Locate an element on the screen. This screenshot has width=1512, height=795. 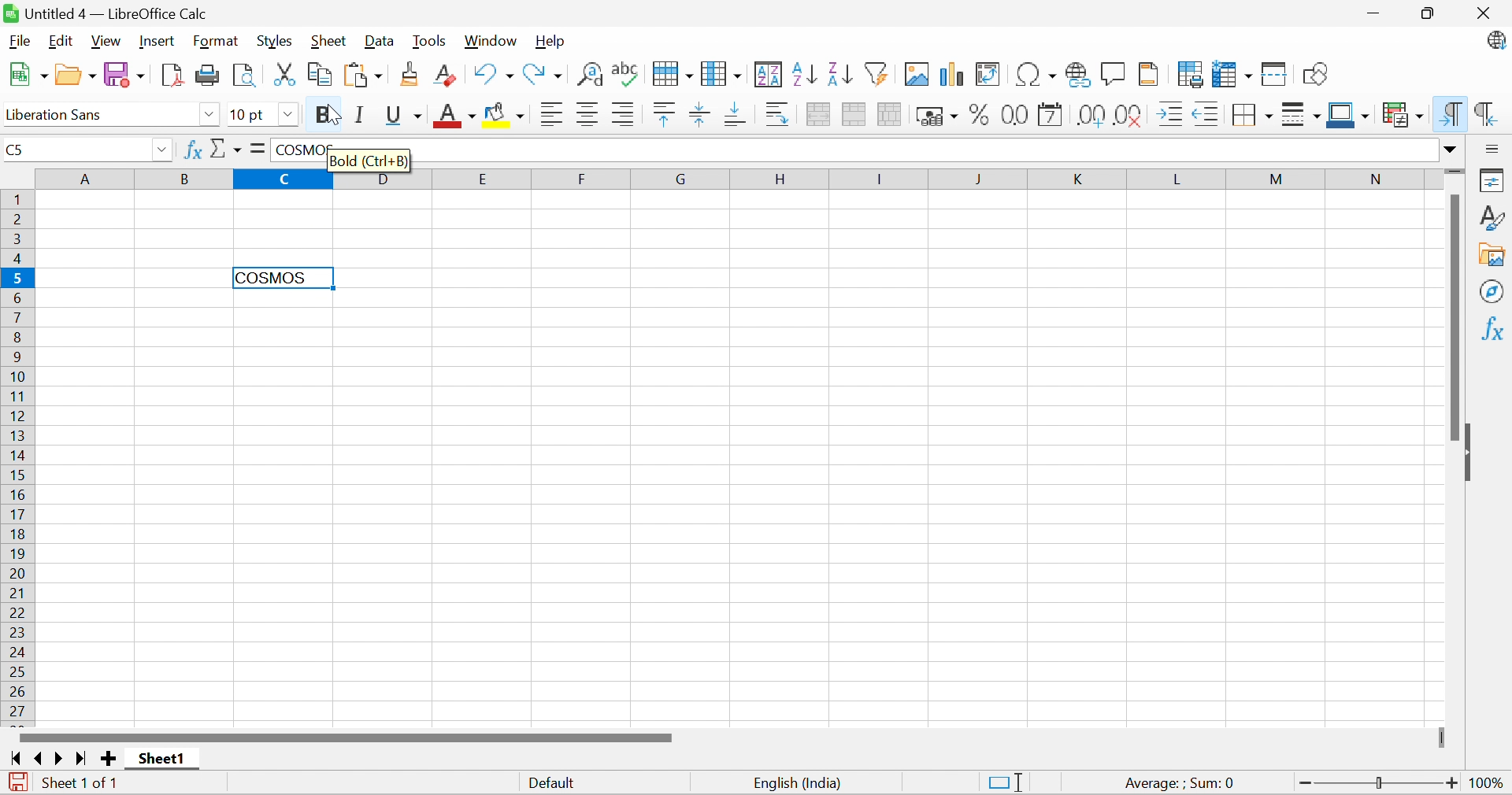
Print is located at coordinates (209, 75).